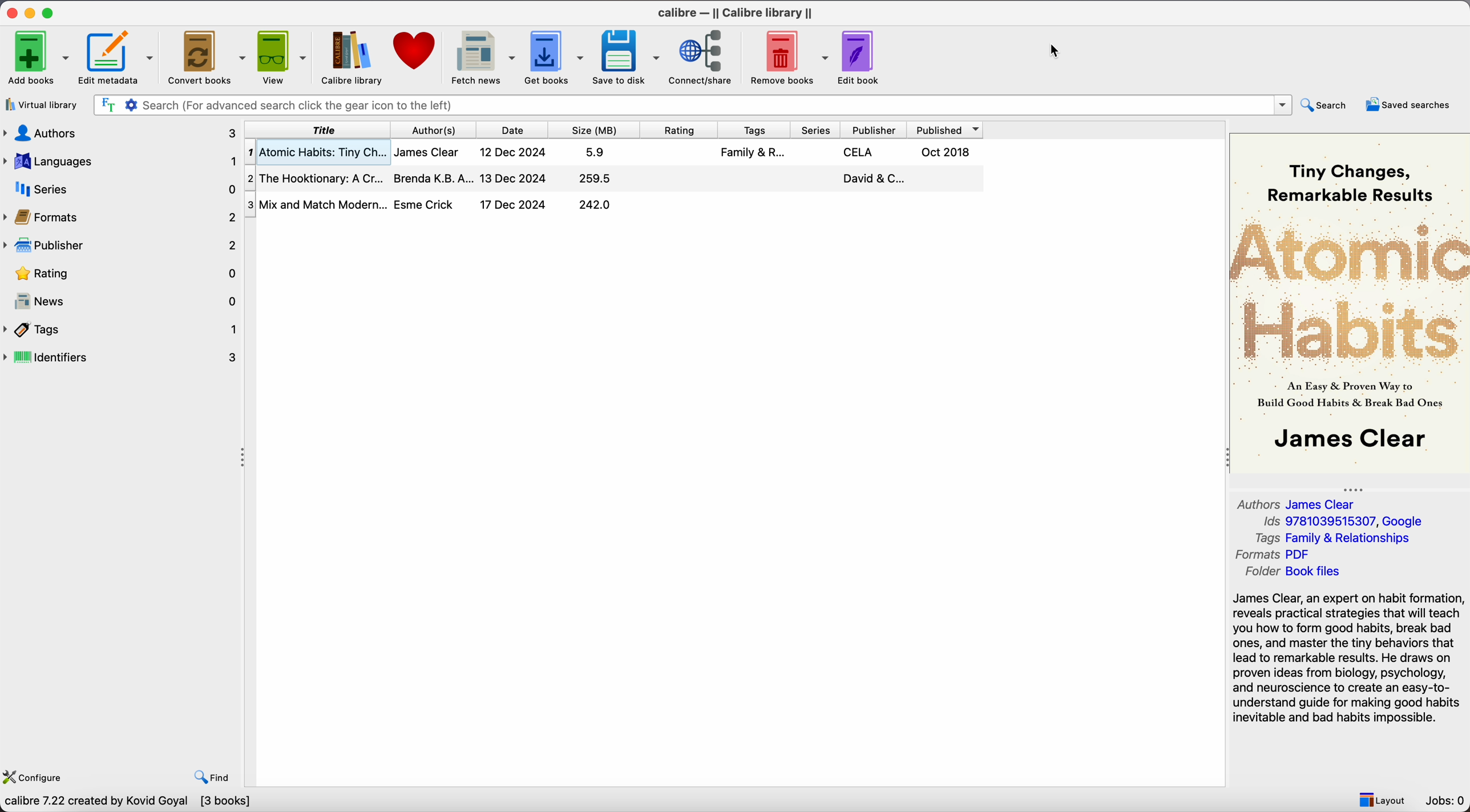 The image size is (1470, 812). Describe the element at coordinates (598, 130) in the screenshot. I see `size` at that location.